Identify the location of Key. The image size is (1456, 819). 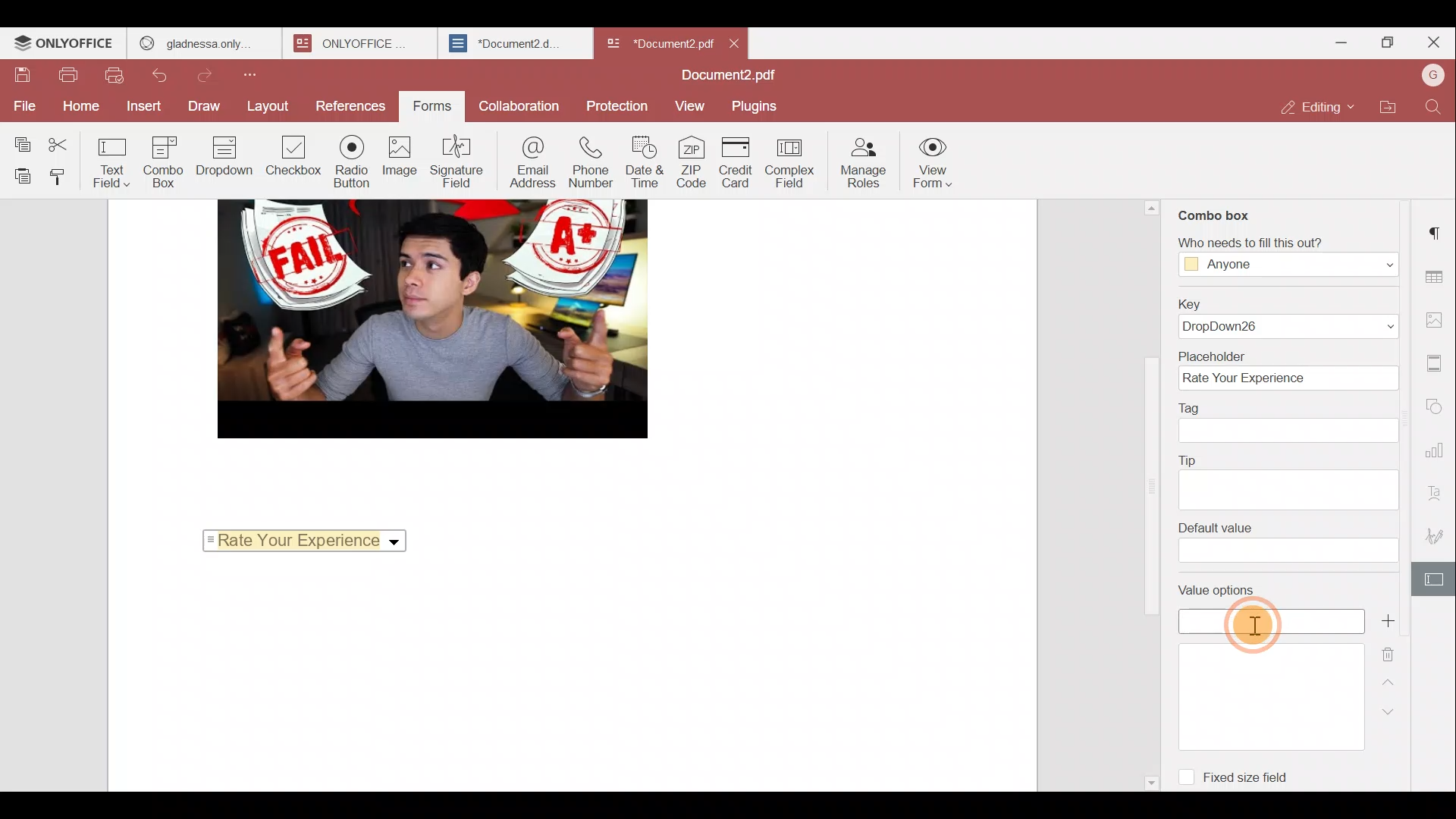
(1288, 316).